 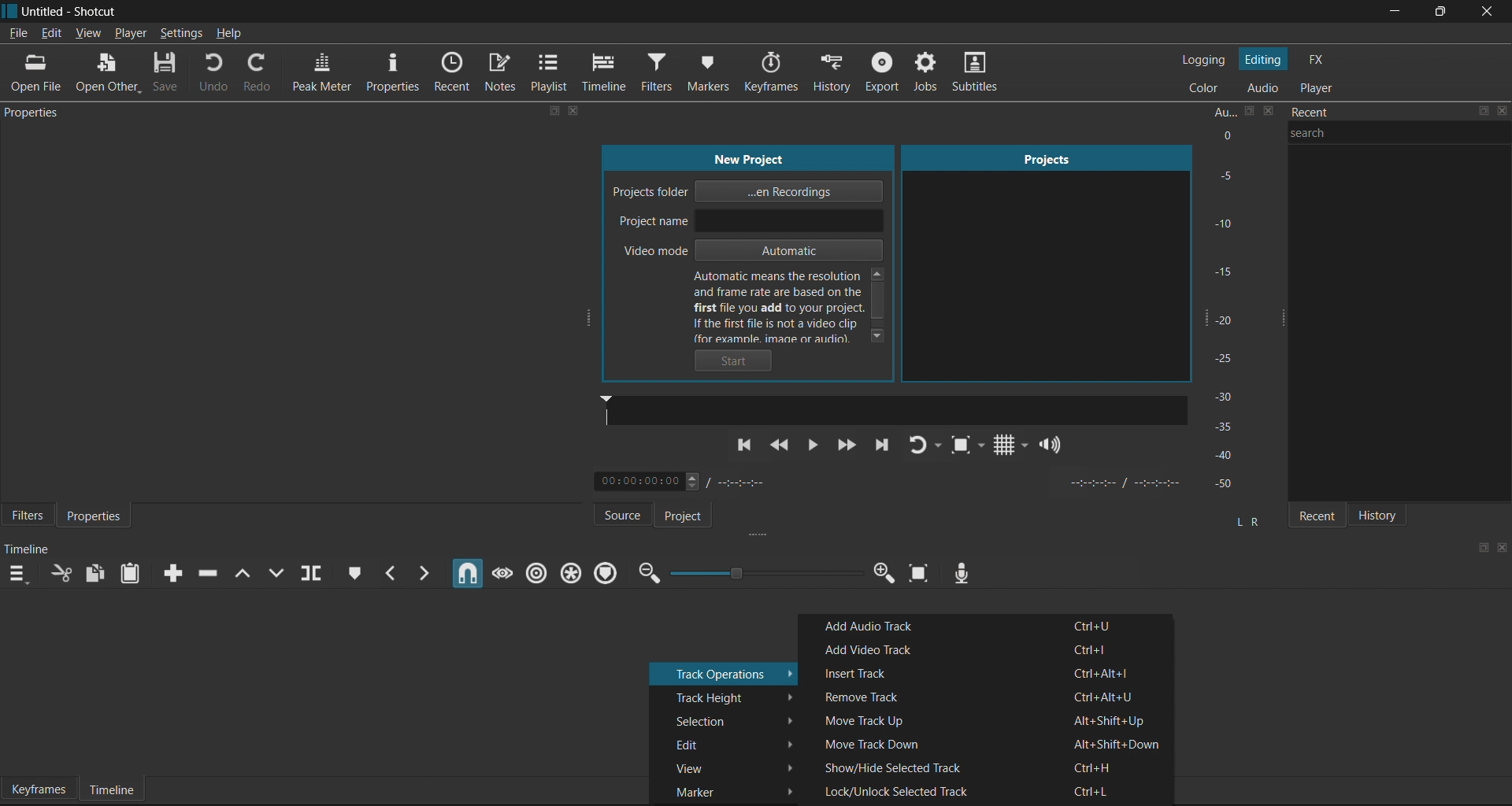 What do you see at coordinates (317, 575) in the screenshot?
I see `Split at playhead` at bounding box center [317, 575].